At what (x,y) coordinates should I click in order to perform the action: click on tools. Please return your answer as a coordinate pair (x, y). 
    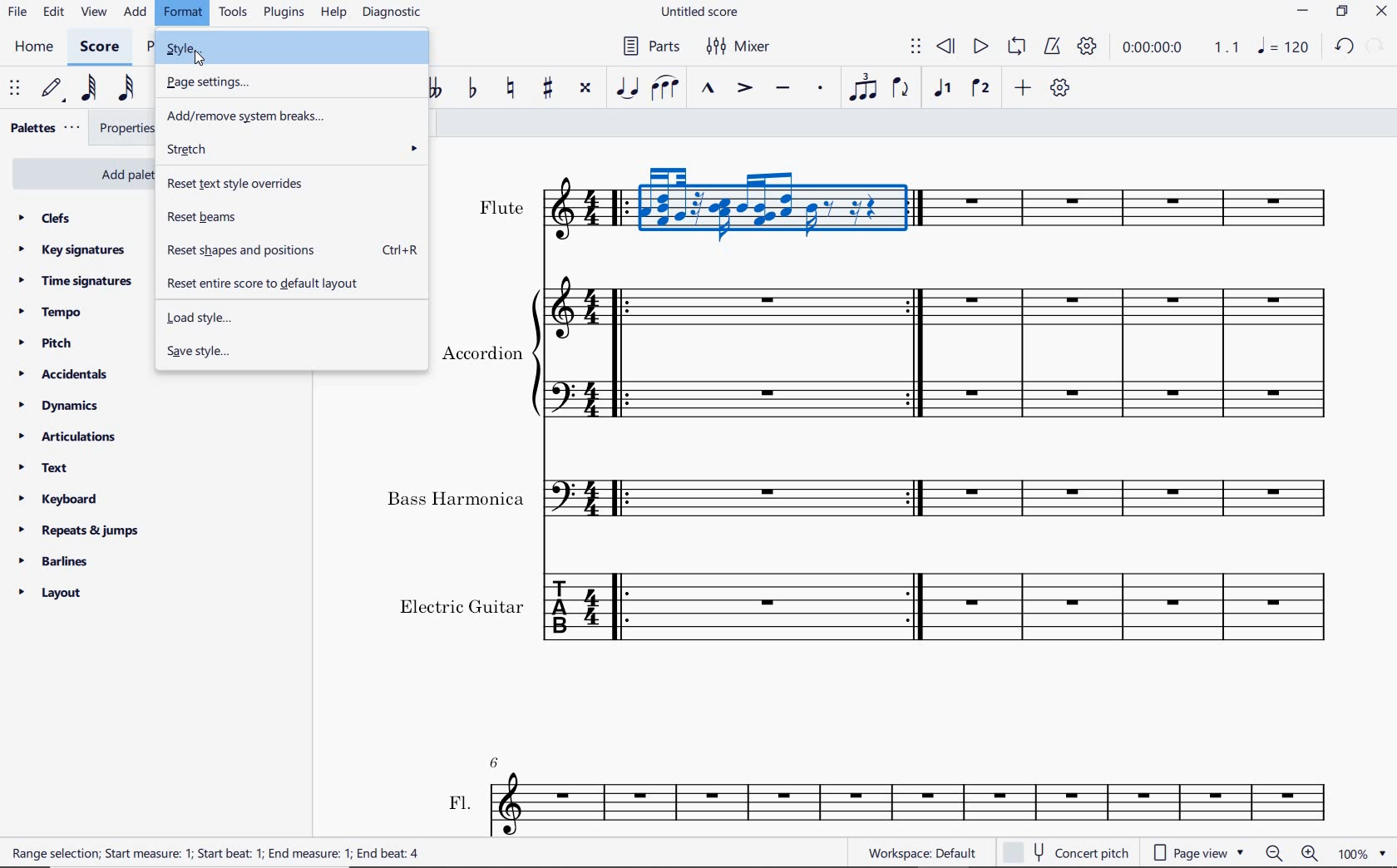
    Looking at the image, I should click on (235, 13).